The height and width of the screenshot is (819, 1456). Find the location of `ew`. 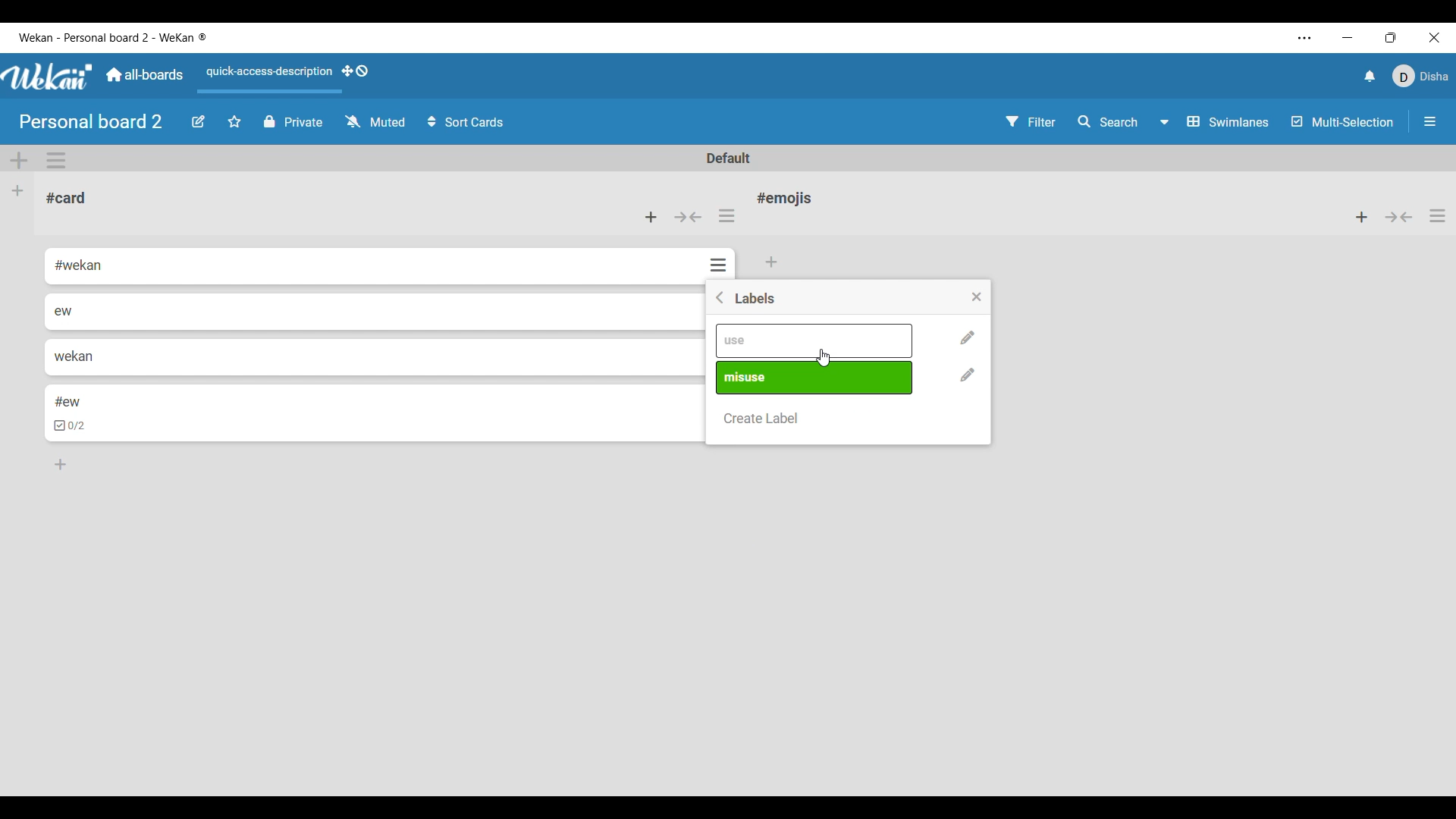

ew is located at coordinates (64, 311).